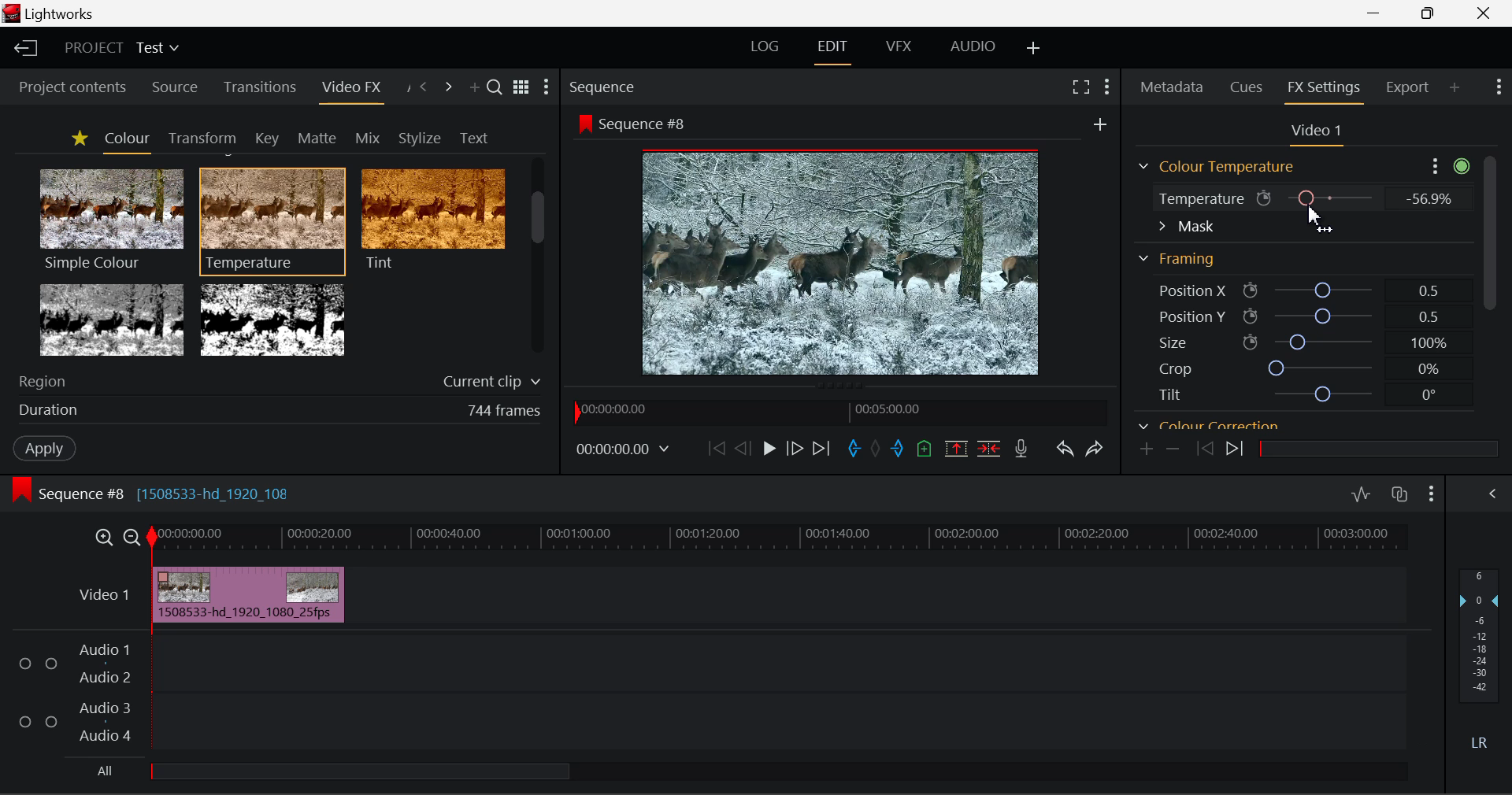 The image size is (1512, 795). I want to click on Audio 2, so click(98, 675).